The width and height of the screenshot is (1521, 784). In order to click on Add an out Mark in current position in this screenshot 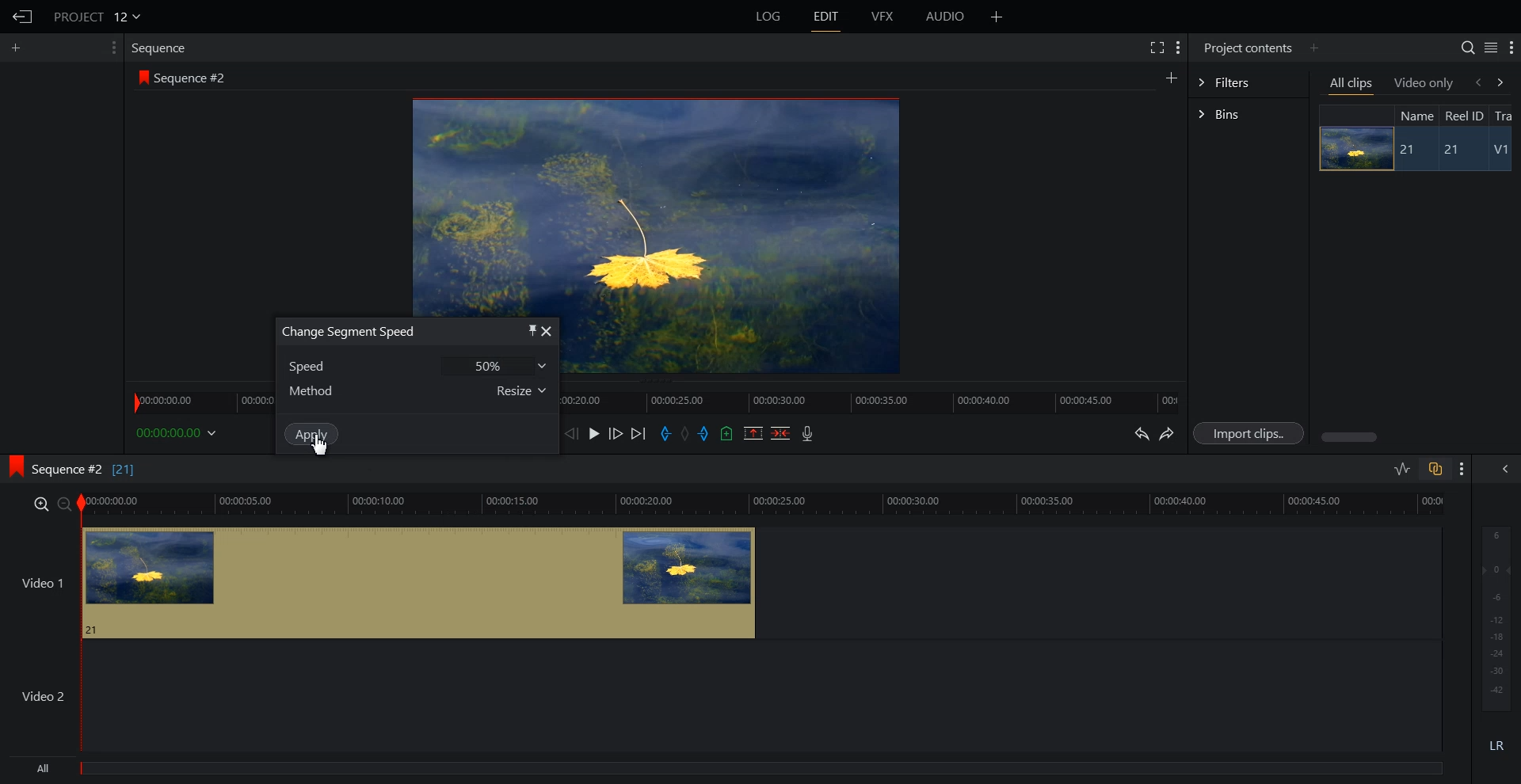, I will do `click(706, 433)`.